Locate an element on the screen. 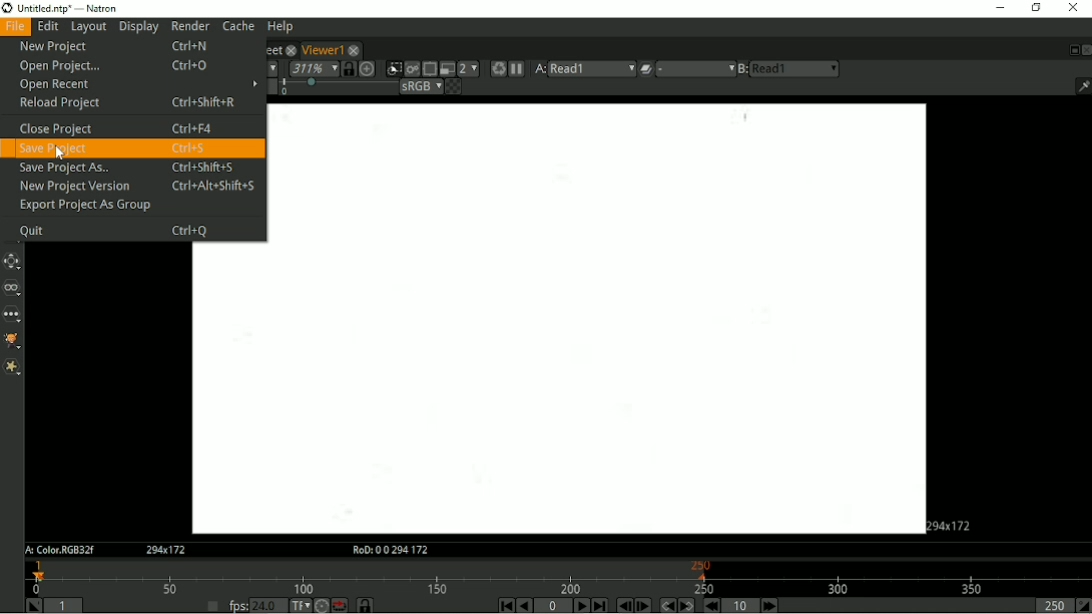  Layout is located at coordinates (87, 27).